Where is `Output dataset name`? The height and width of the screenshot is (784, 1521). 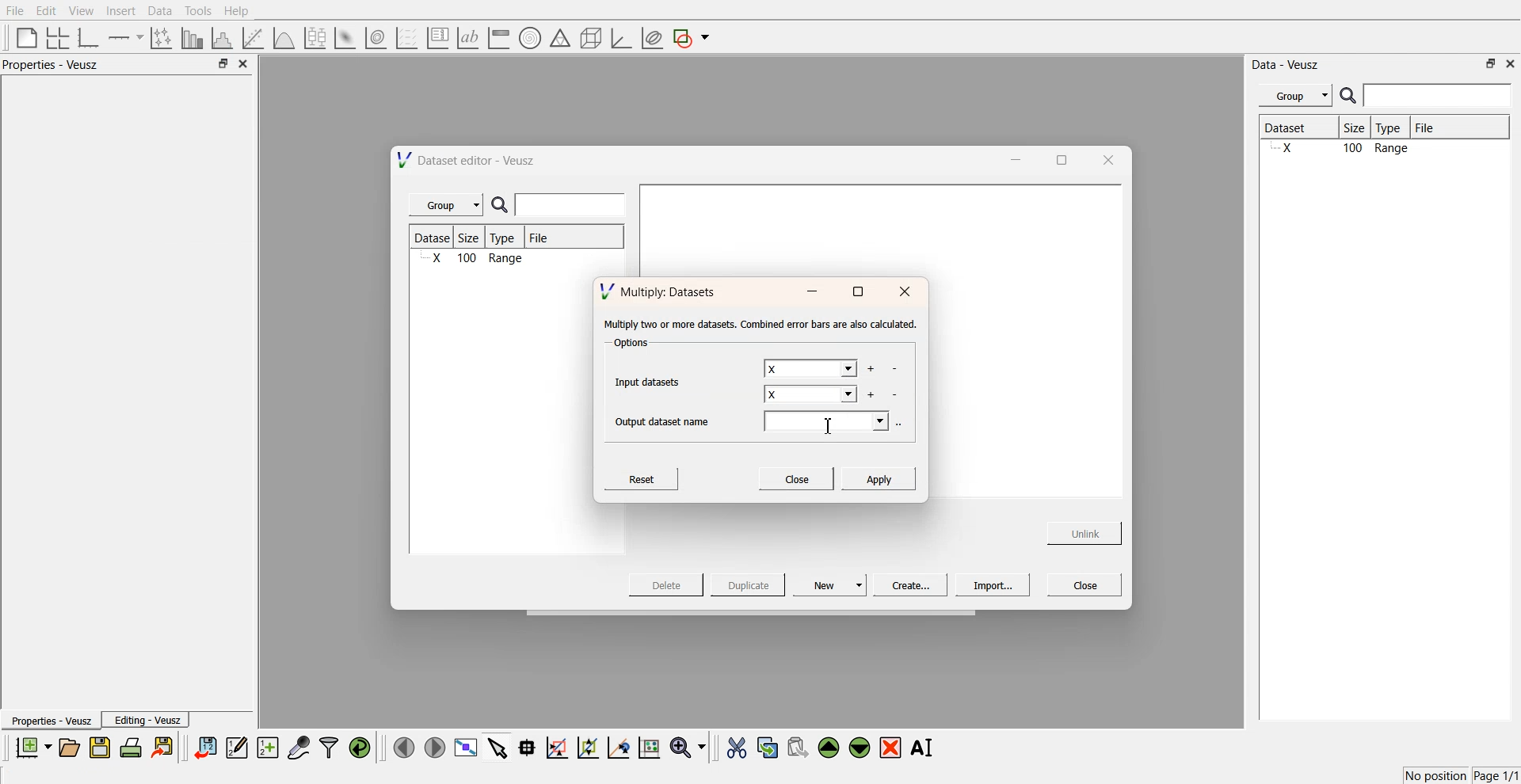 Output dataset name is located at coordinates (668, 420).